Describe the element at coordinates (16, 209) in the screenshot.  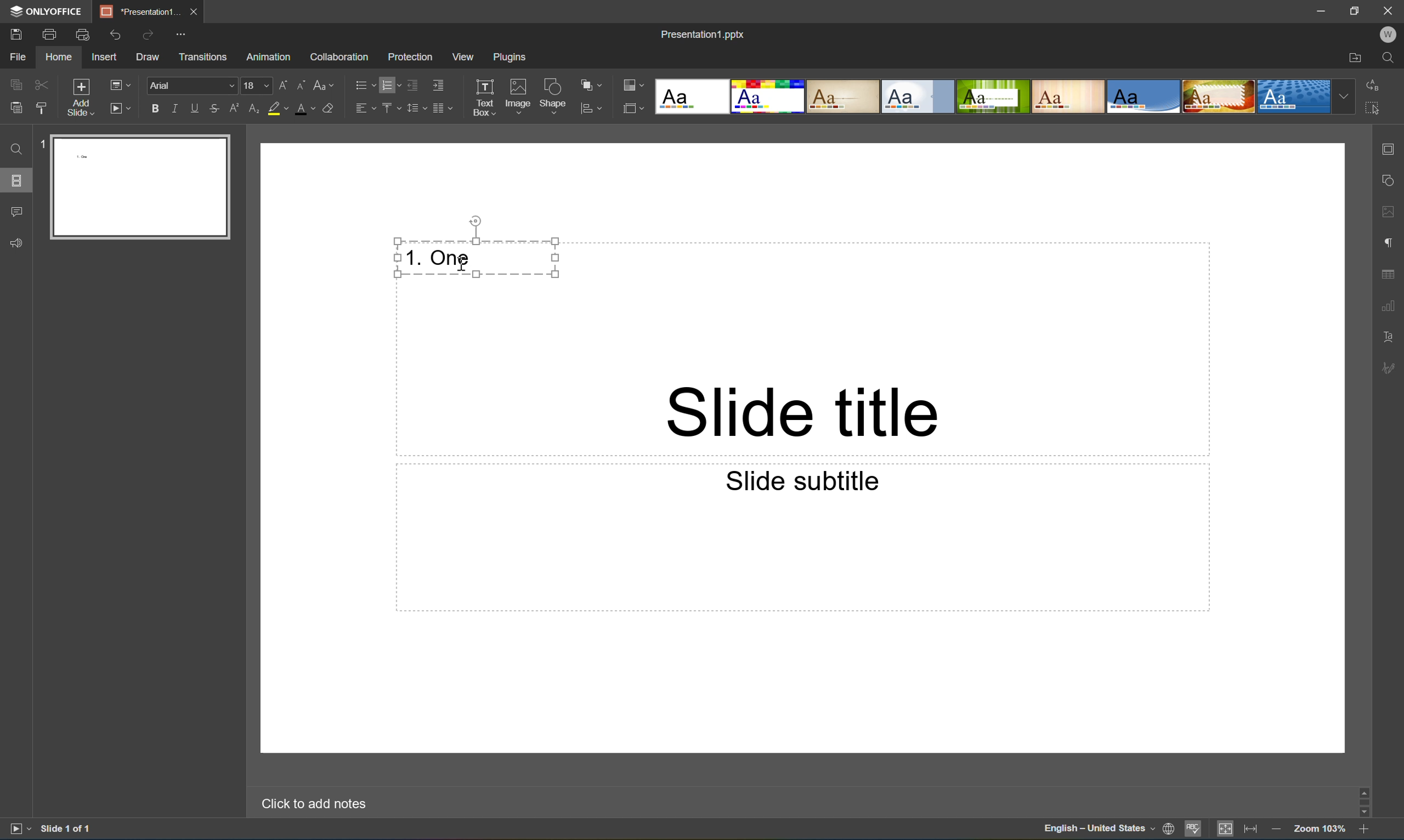
I see `Comments` at that location.